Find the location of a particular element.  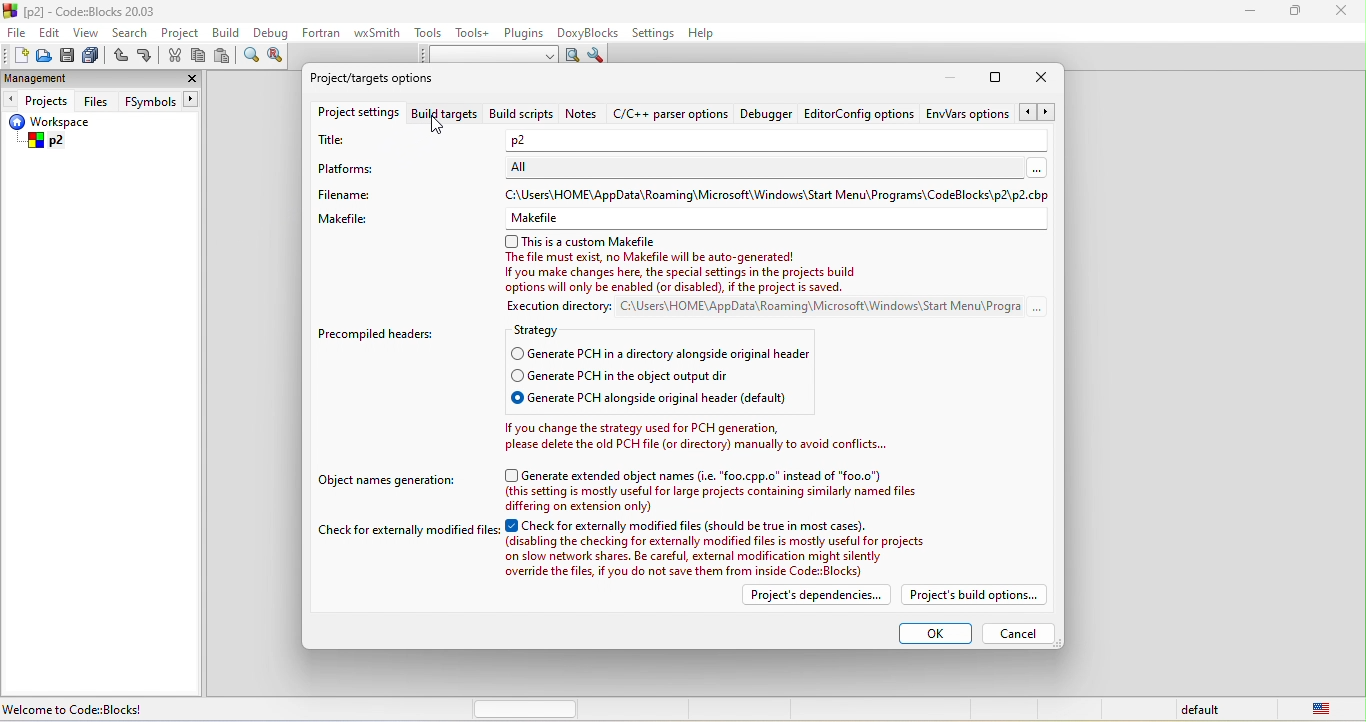

maximize is located at coordinates (998, 77).